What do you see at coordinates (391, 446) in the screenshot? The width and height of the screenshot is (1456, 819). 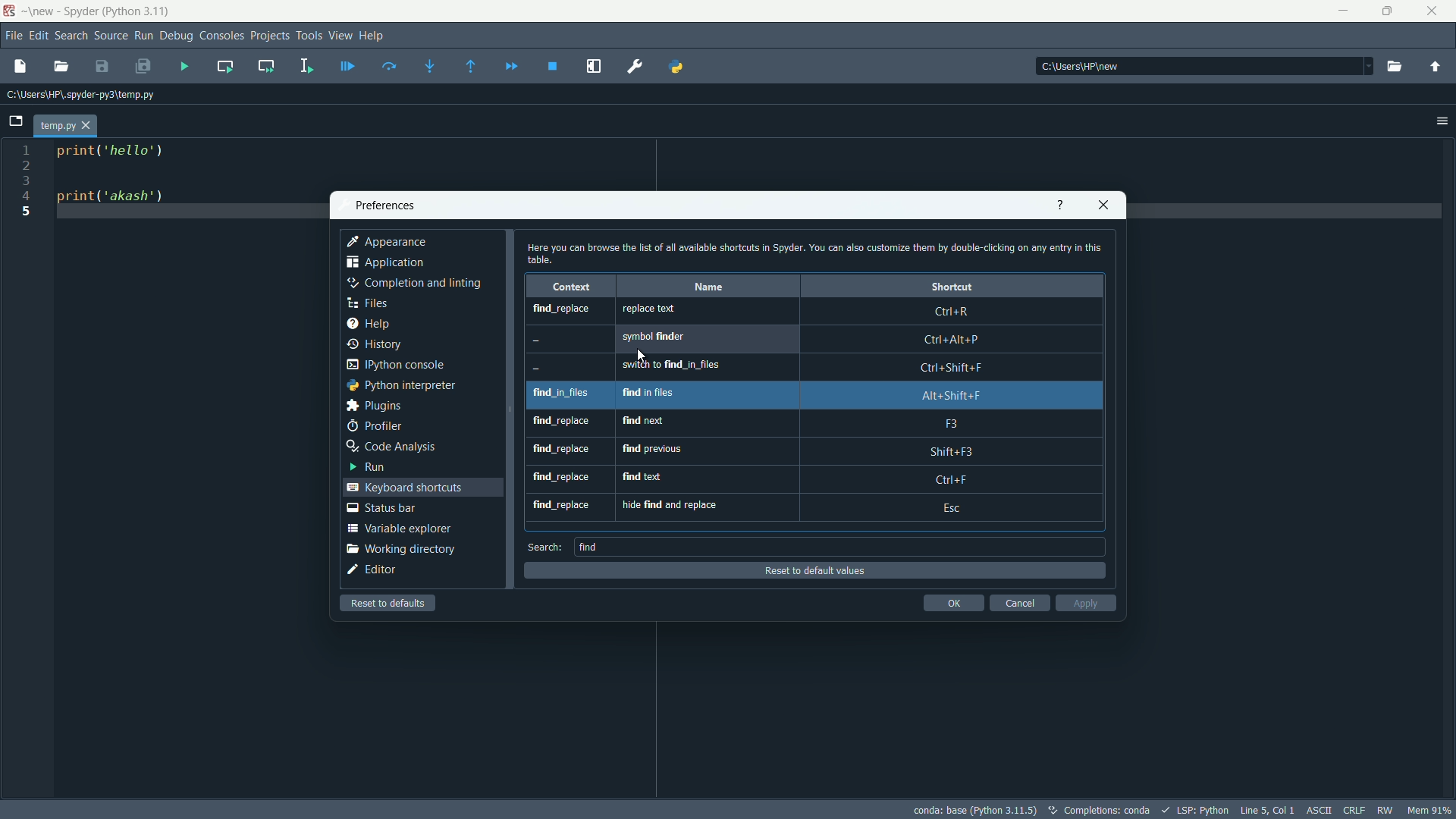 I see `code analysis` at bounding box center [391, 446].